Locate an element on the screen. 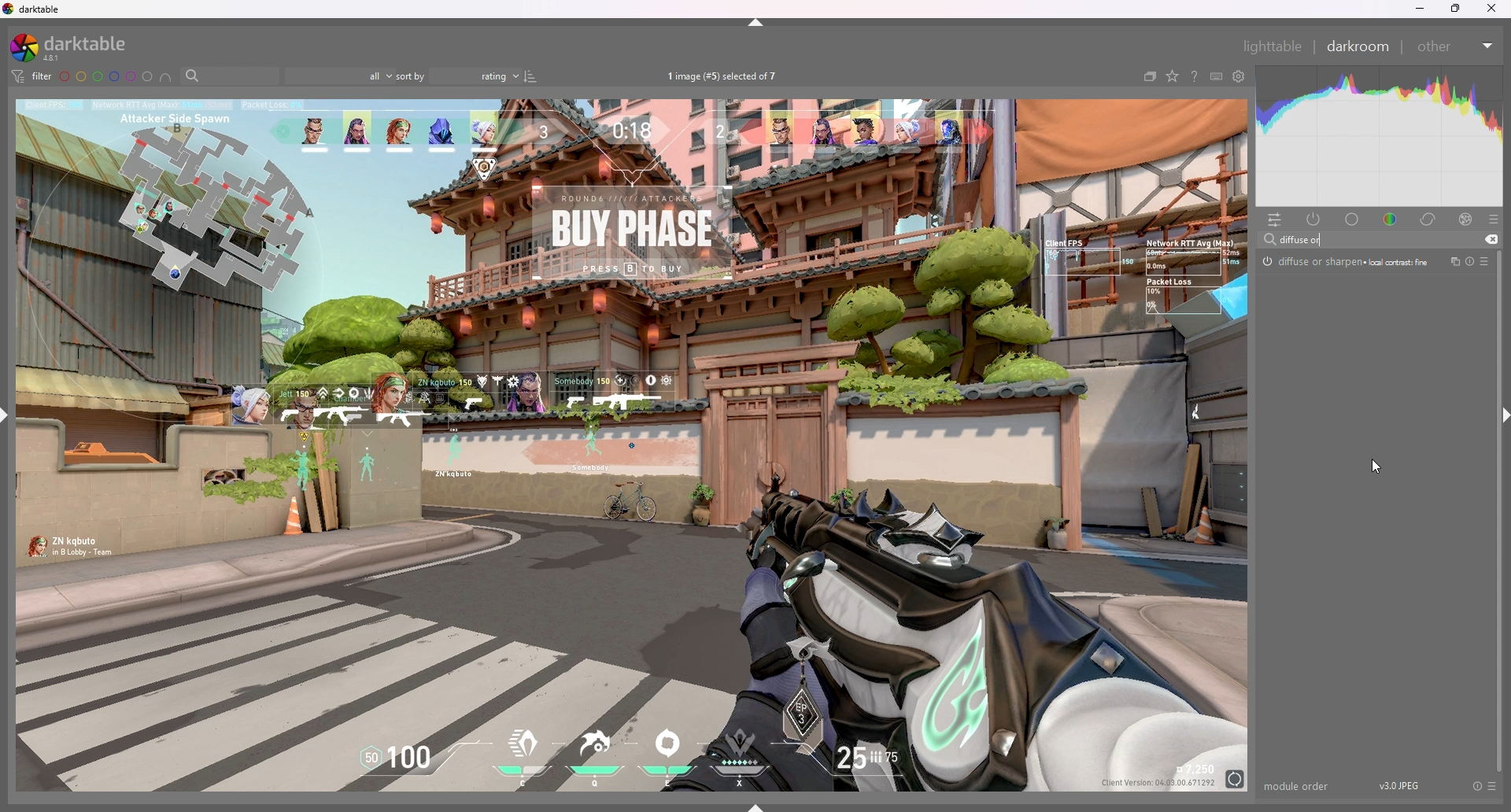  cut input is located at coordinates (1491, 239).